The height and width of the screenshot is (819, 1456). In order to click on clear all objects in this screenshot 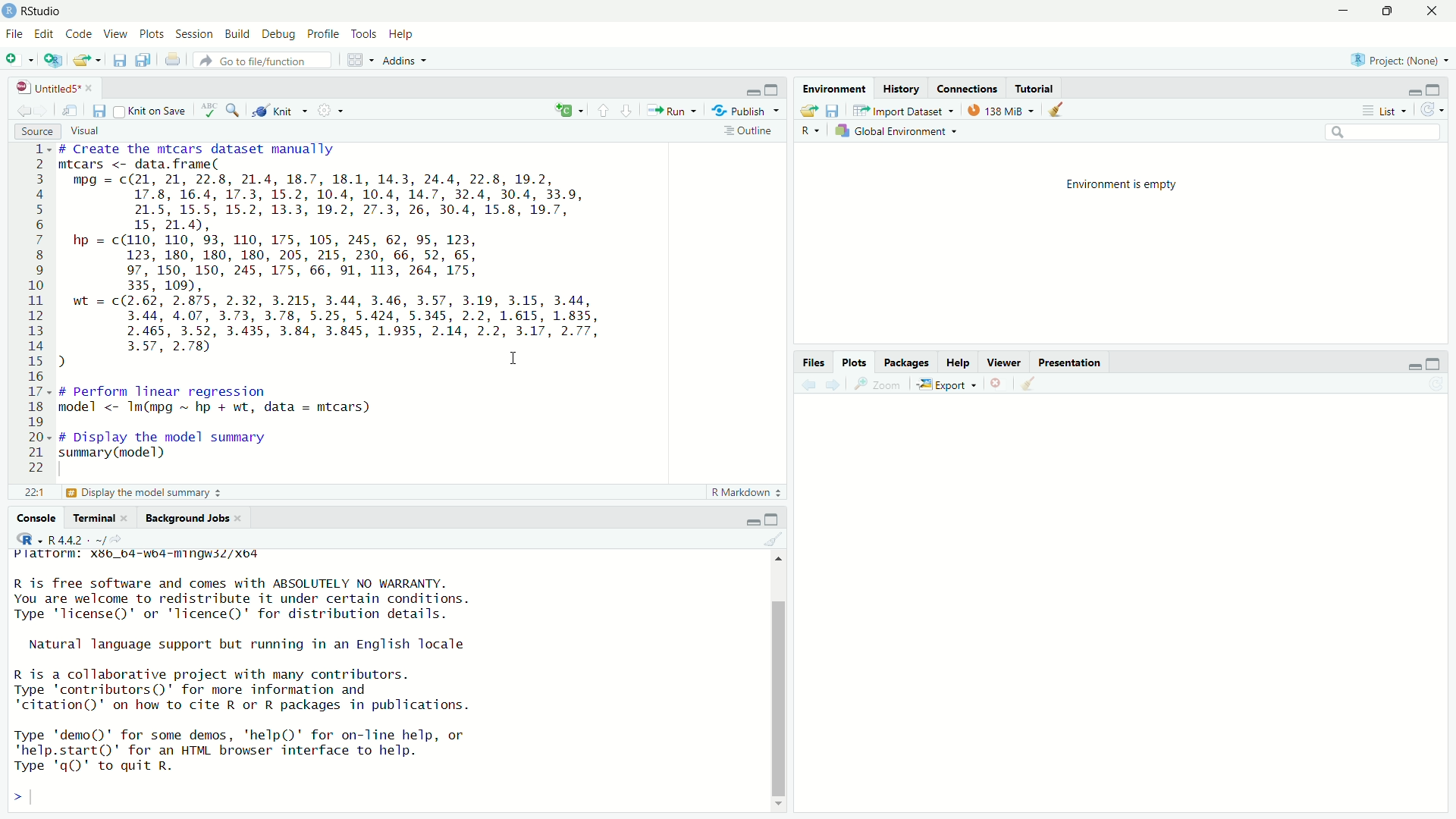, I will do `click(1063, 110)`.